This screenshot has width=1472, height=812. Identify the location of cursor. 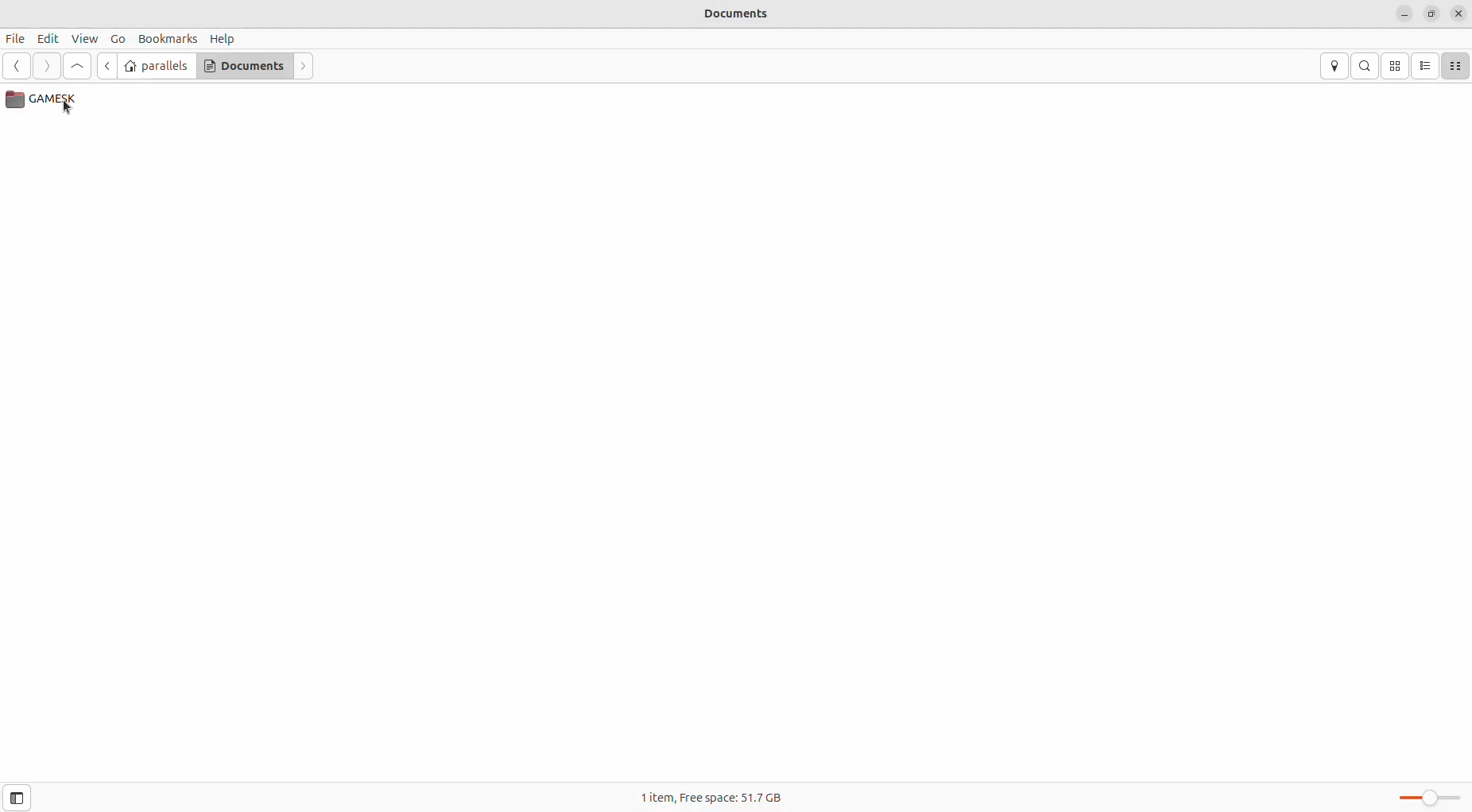
(70, 113).